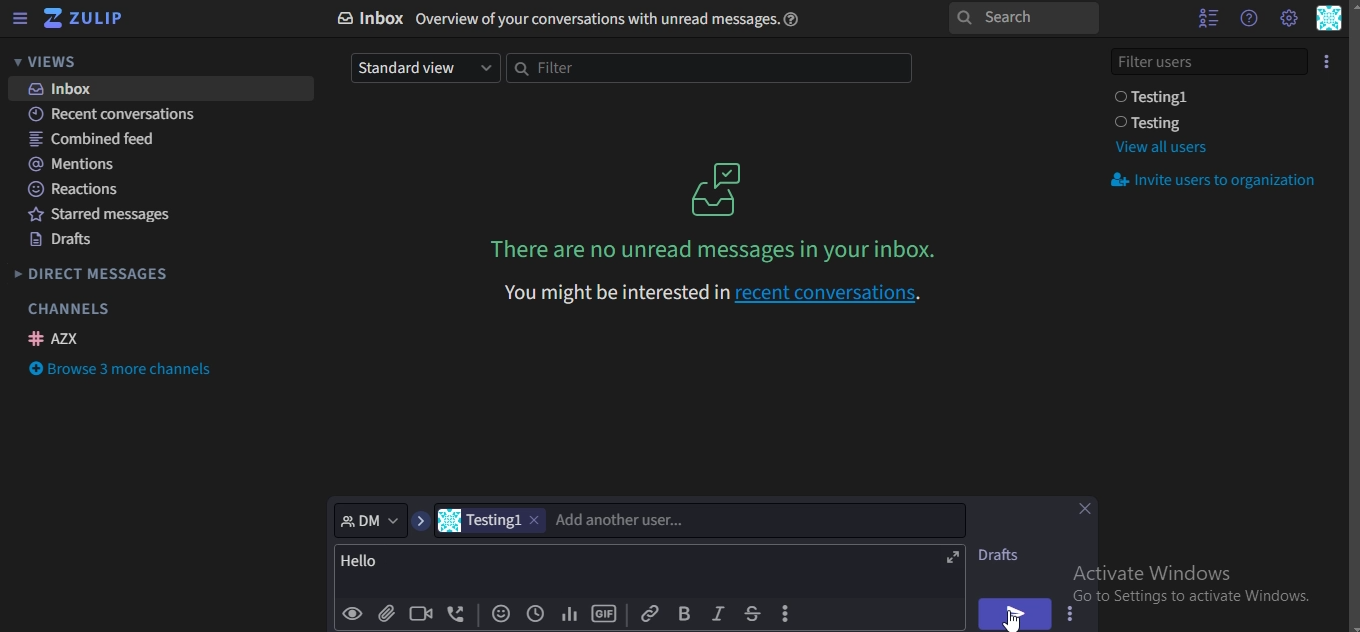  What do you see at coordinates (457, 615) in the screenshot?
I see `add voice call` at bounding box center [457, 615].